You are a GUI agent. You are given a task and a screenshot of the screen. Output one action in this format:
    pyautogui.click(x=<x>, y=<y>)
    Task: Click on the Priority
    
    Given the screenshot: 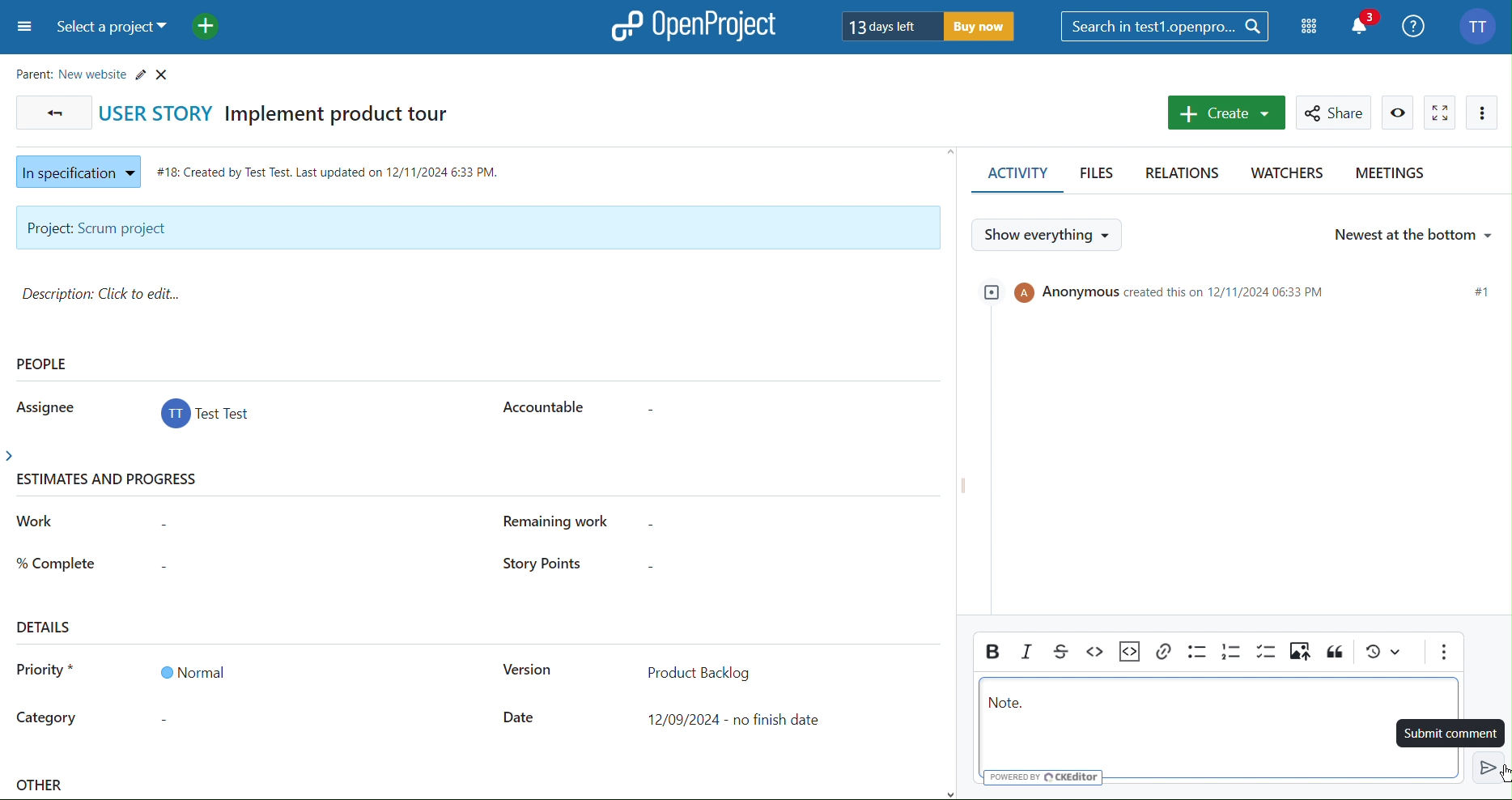 What is the action you would take?
    pyautogui.click(x=45, y=673)
    